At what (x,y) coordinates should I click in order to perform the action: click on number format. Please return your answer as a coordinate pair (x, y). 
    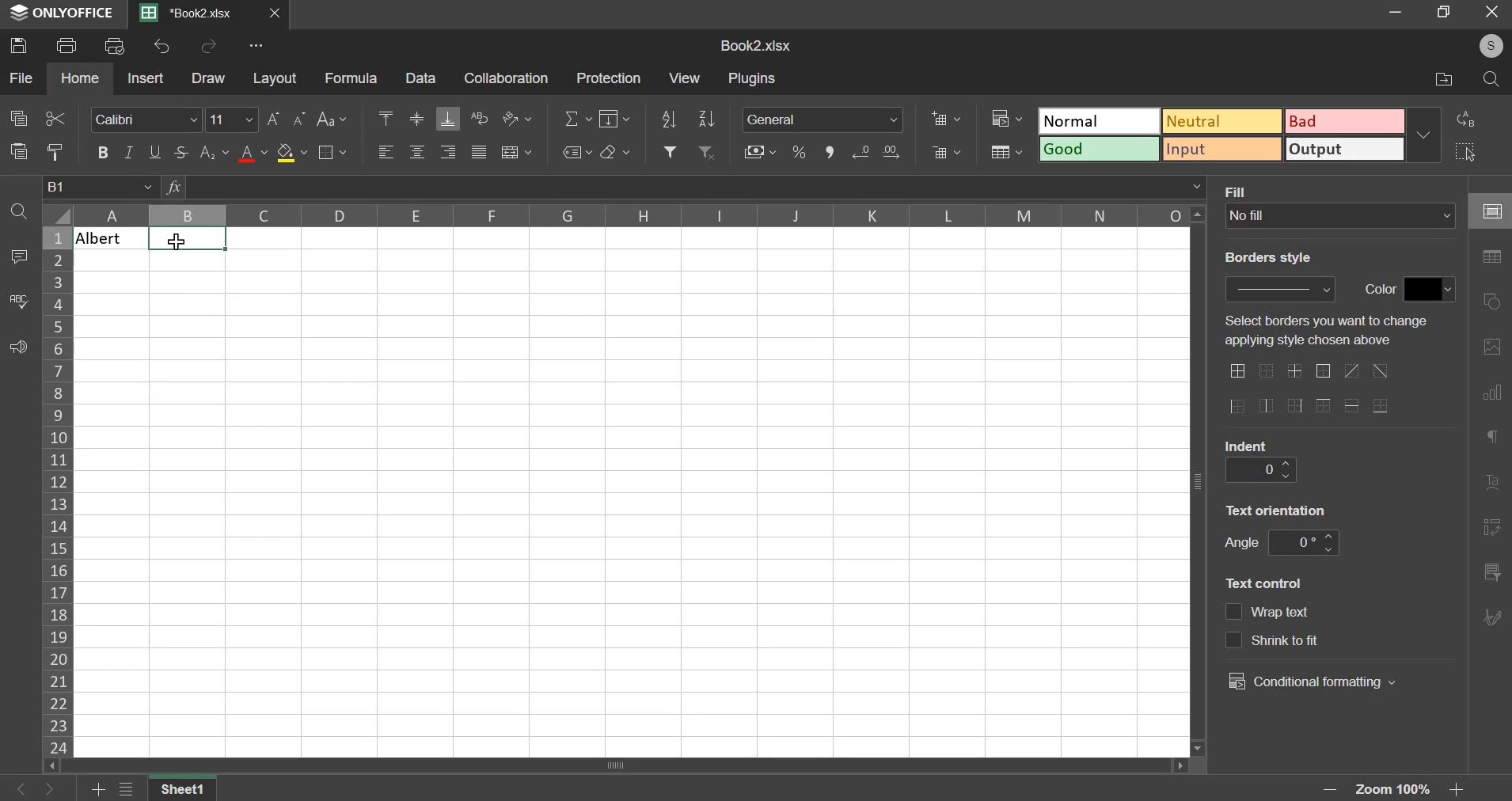
    Looking at the image, I should click on (827, 120).